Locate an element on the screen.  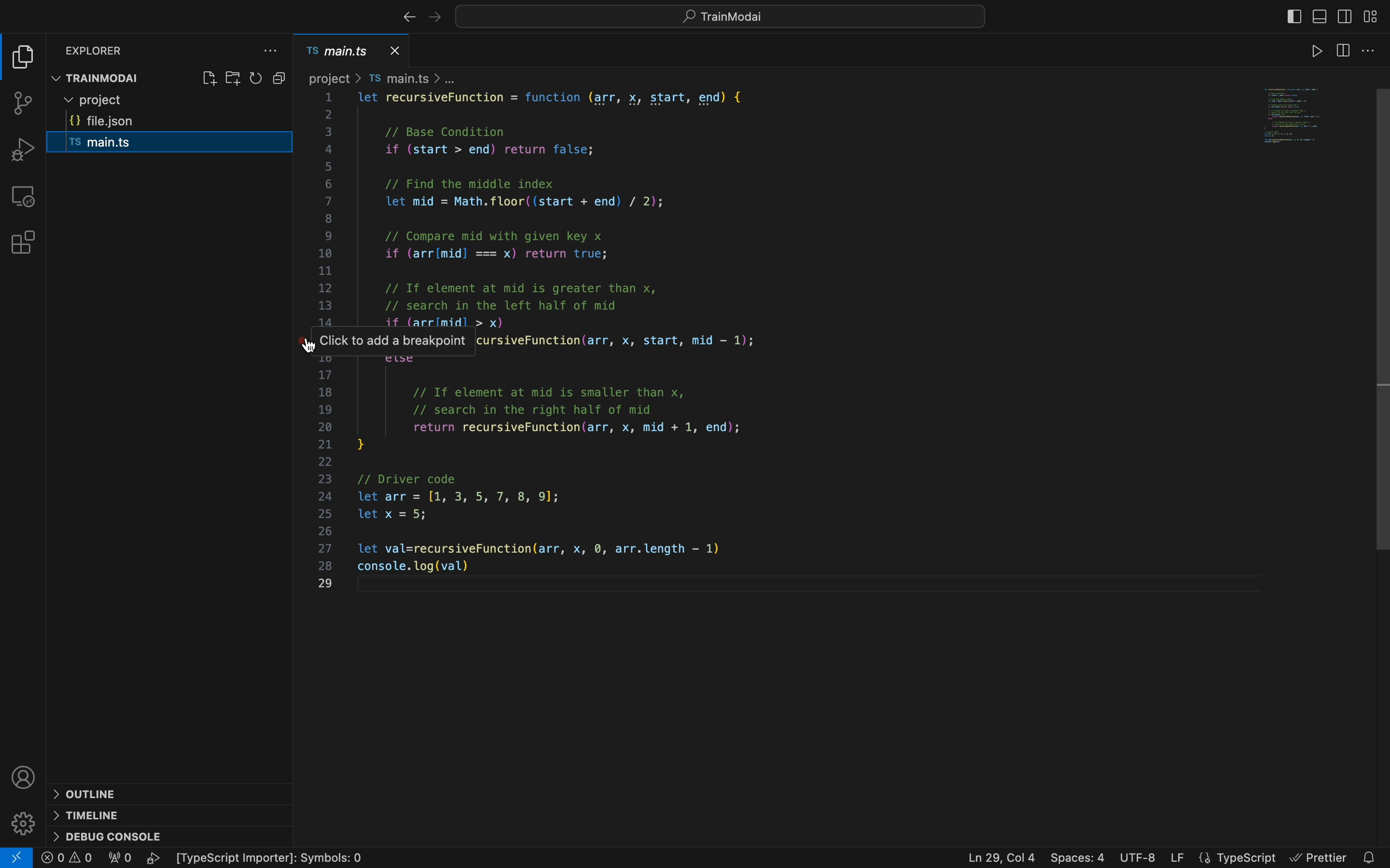
file explorer  is located at coordinates (26, 58).